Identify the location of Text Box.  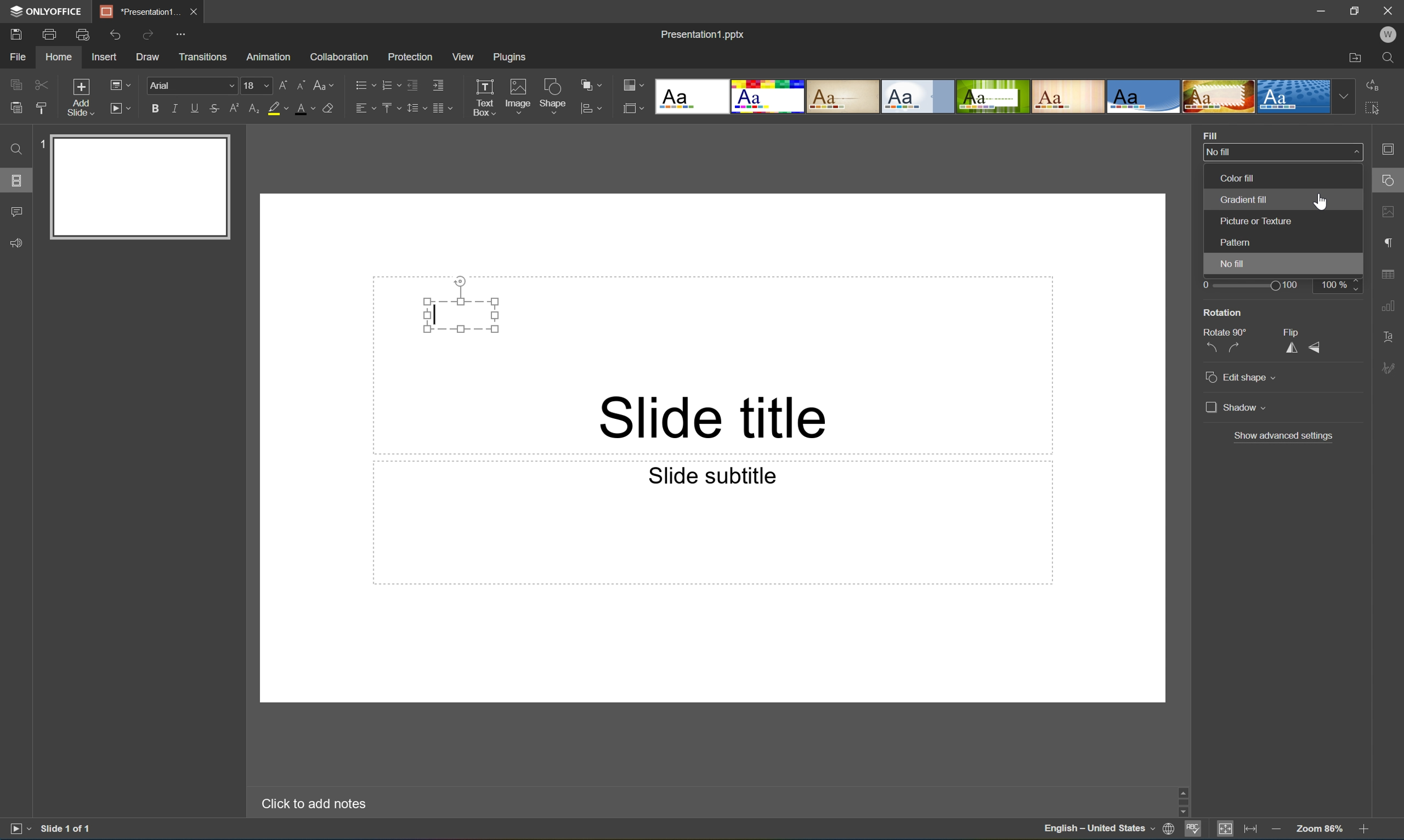
(461, 314).